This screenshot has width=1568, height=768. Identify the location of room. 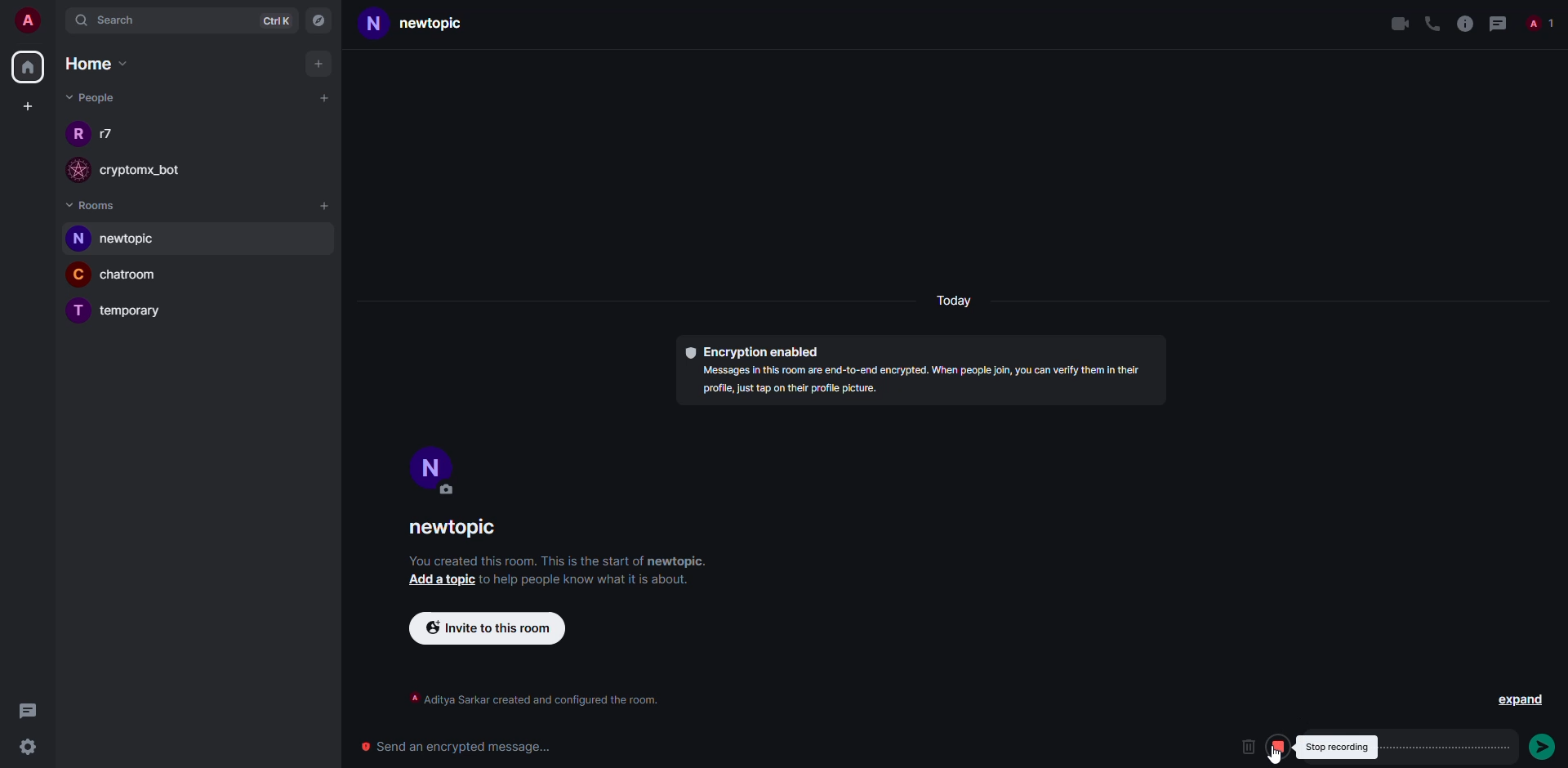
(454, 530).